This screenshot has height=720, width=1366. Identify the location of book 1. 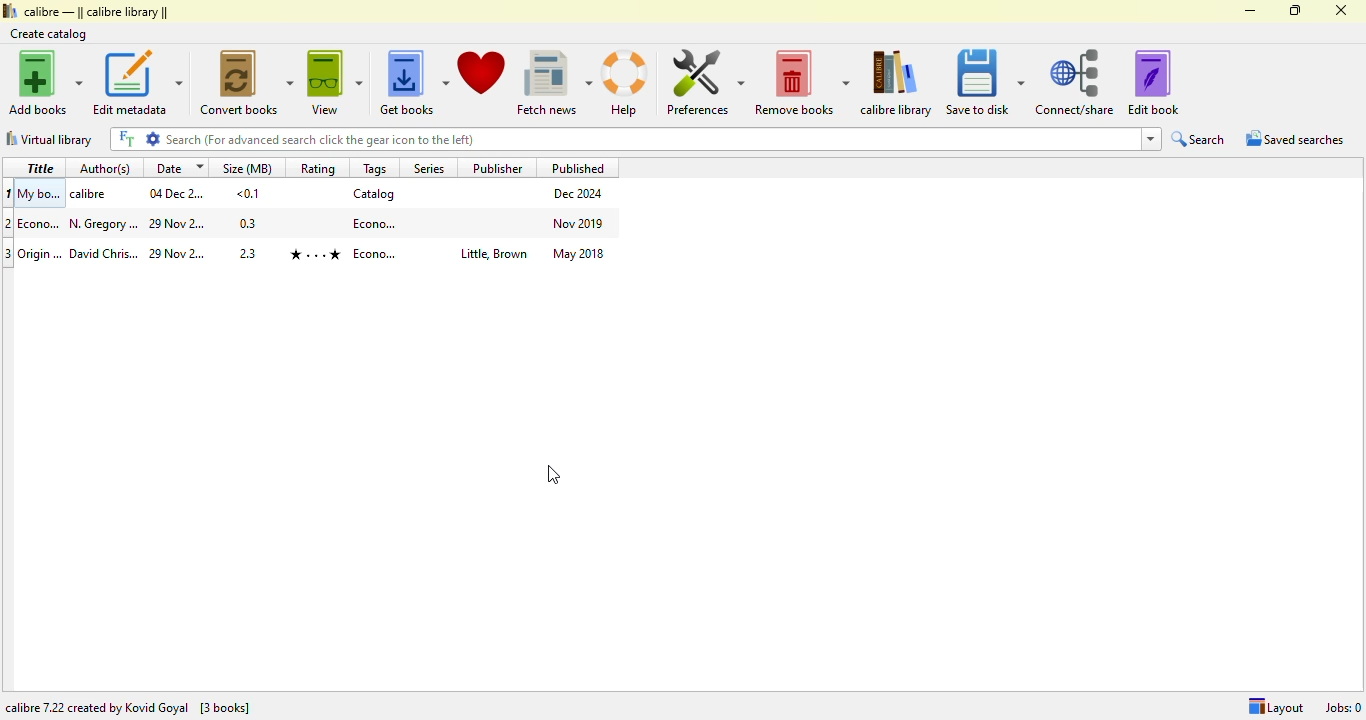
(319, 224).